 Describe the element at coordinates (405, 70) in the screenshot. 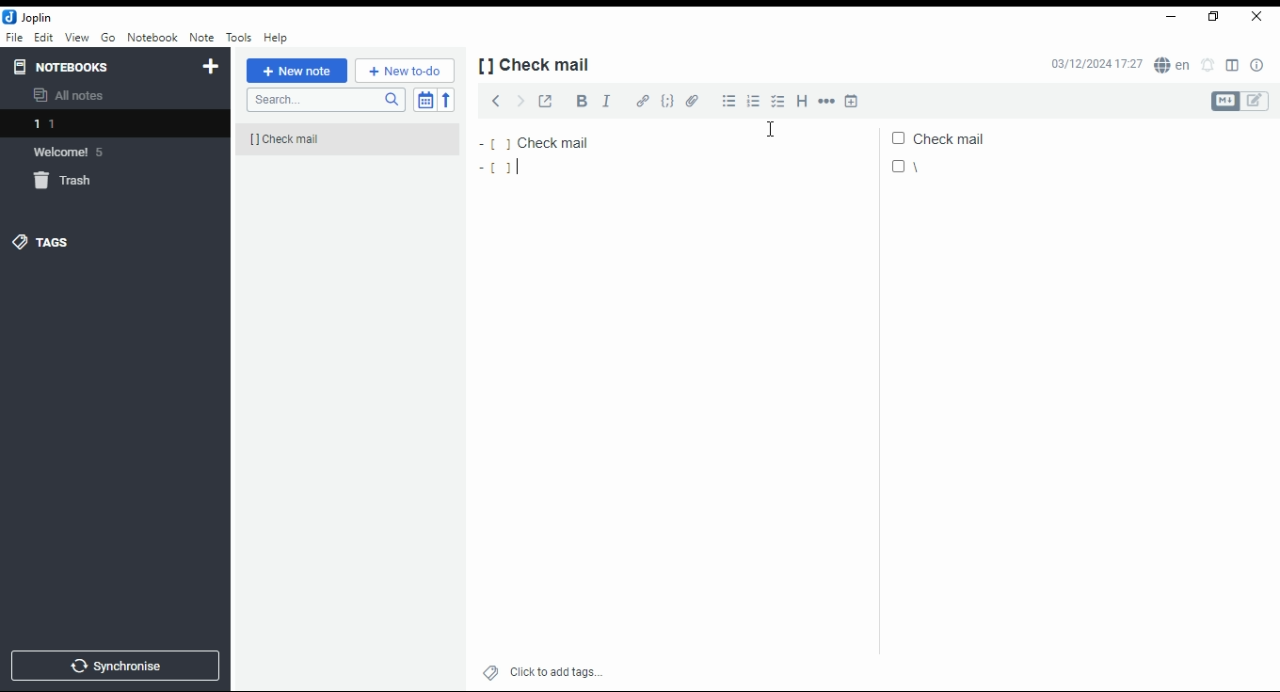

I see `New to-do` at that location.